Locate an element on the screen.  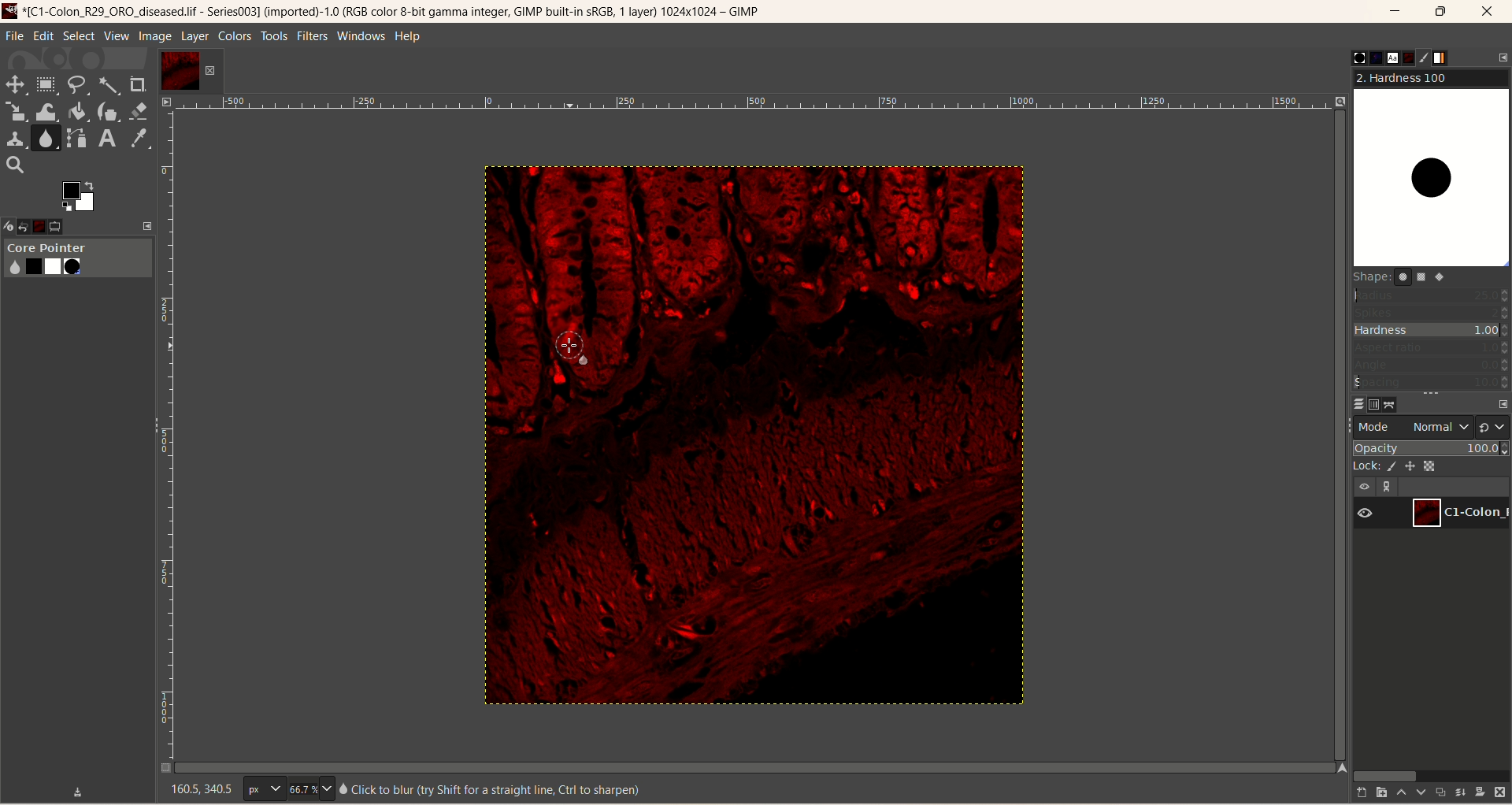
add a mask is located at coordinates (1480, 791).